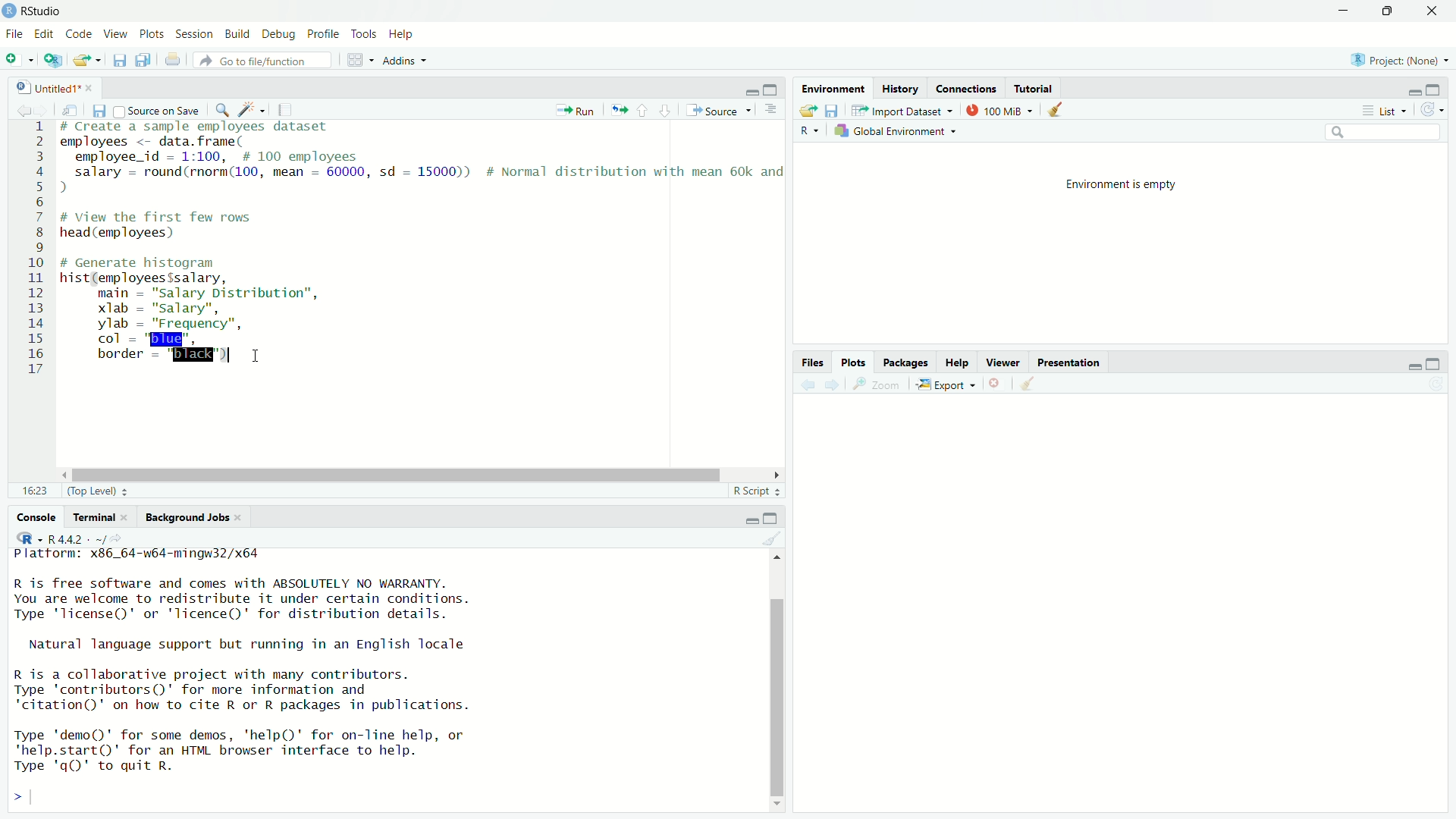 This screenshot has width=1456, height=819. What do you see at coordinates (116, 34) in the screenshot?
I see `View` at bounding box center [116, 34].